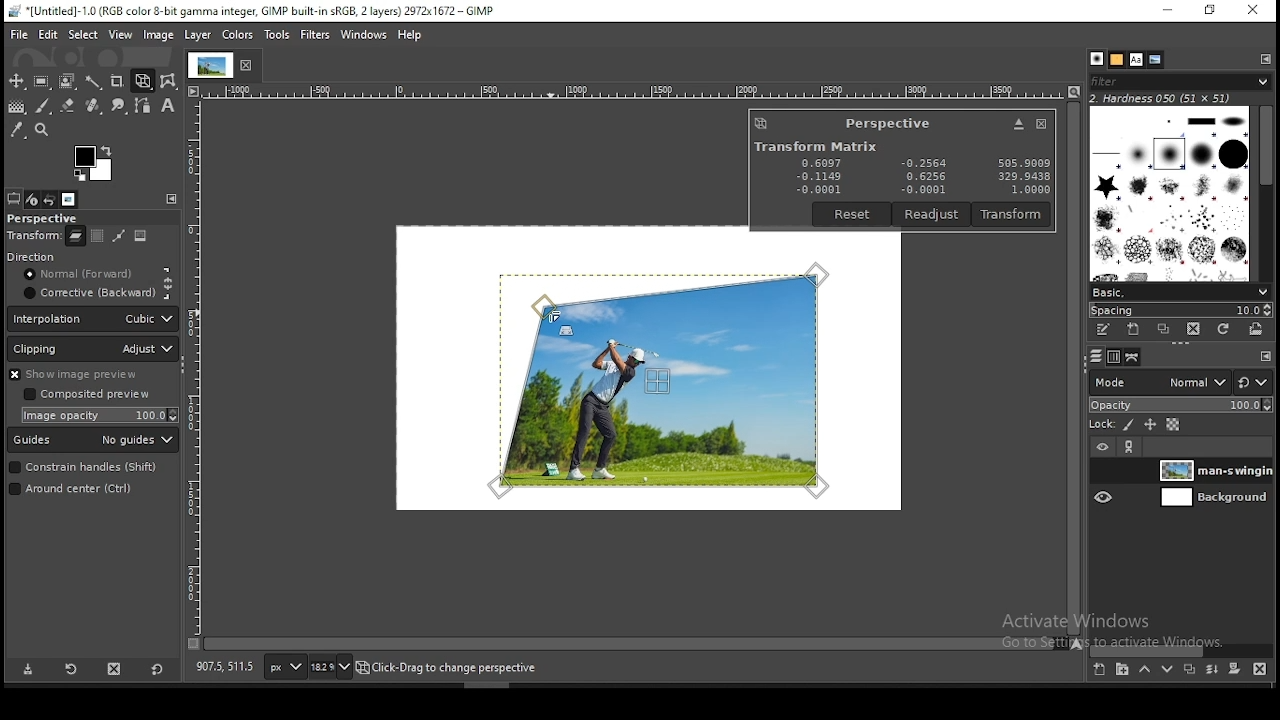  What do you see at coordinates (1112, 358) in the screenshot?
I see `channels` at bounding box center [1112, 358].